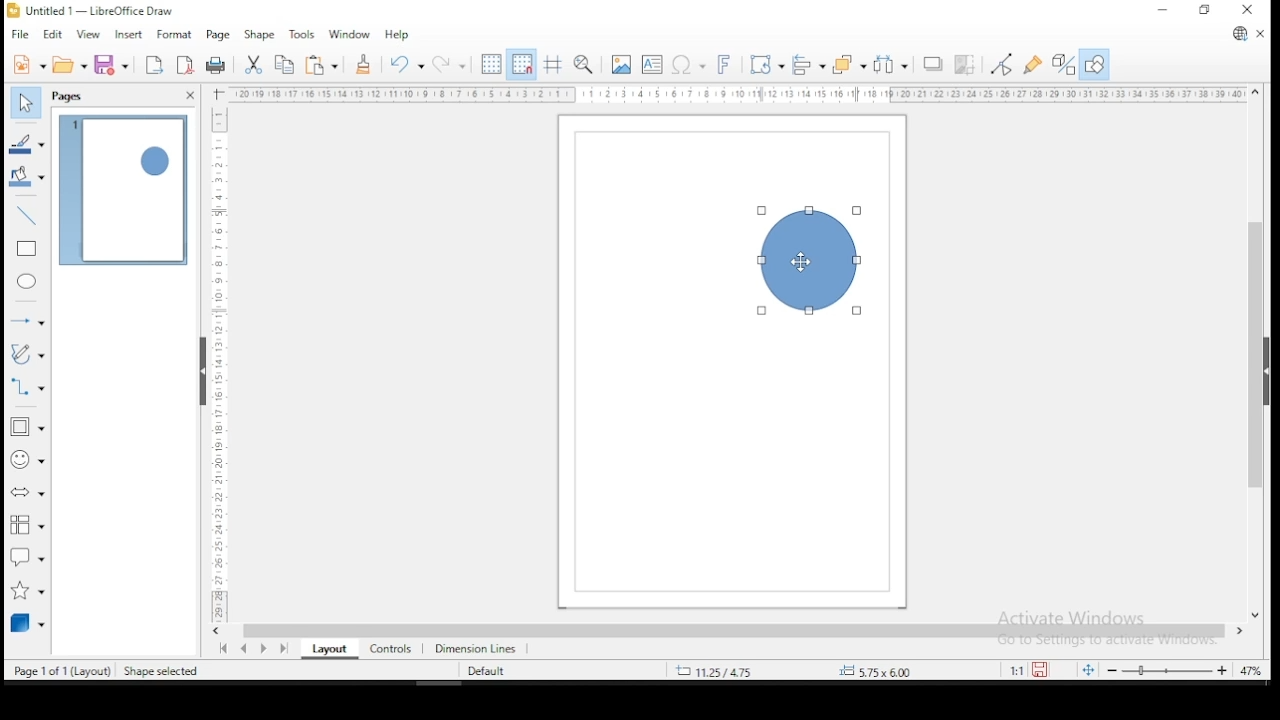  I want to click on 5.75x6.00, so click(873, 671).